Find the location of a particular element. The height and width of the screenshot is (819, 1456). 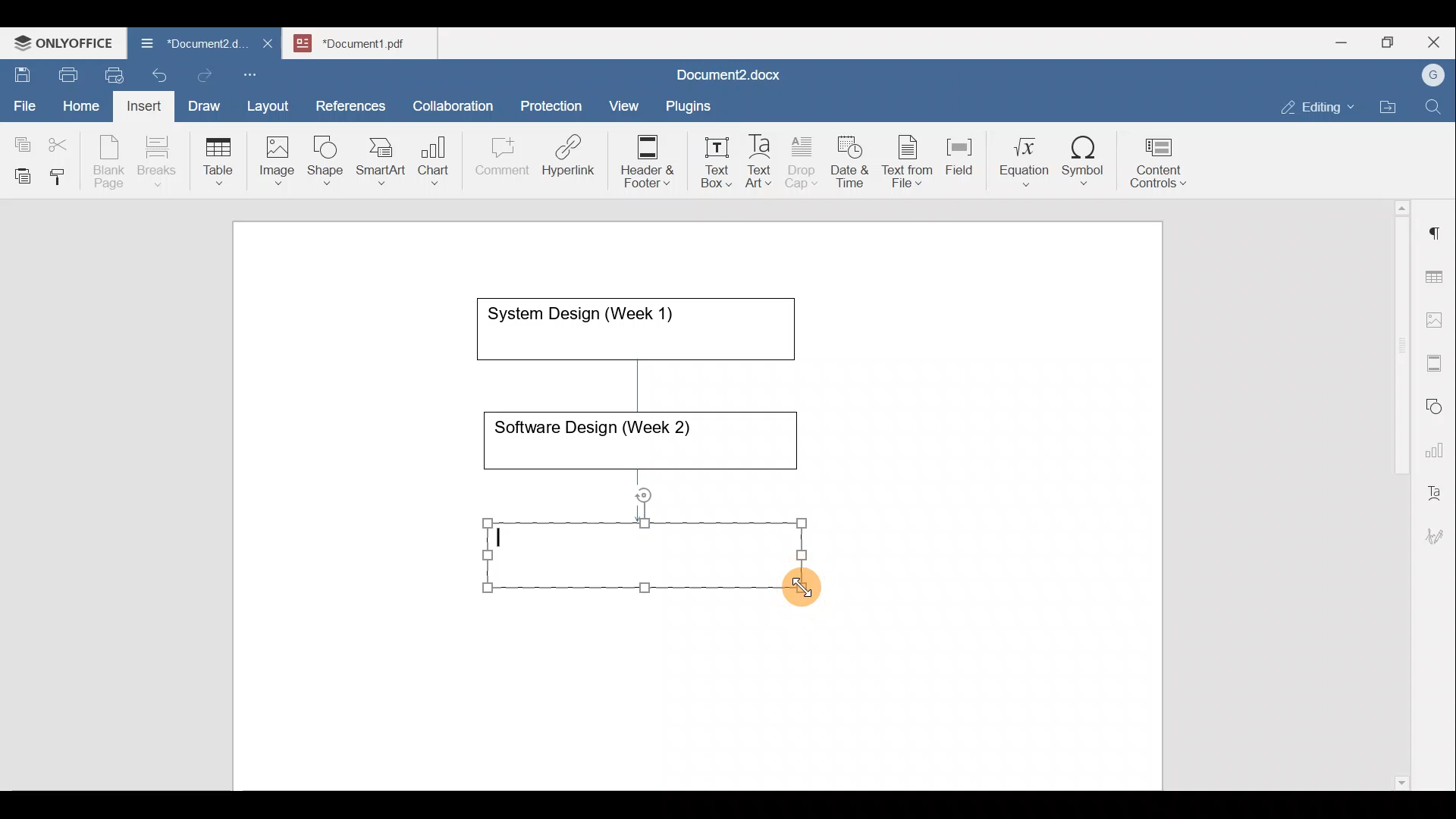

Plugins is located at coordinates (693, 104).